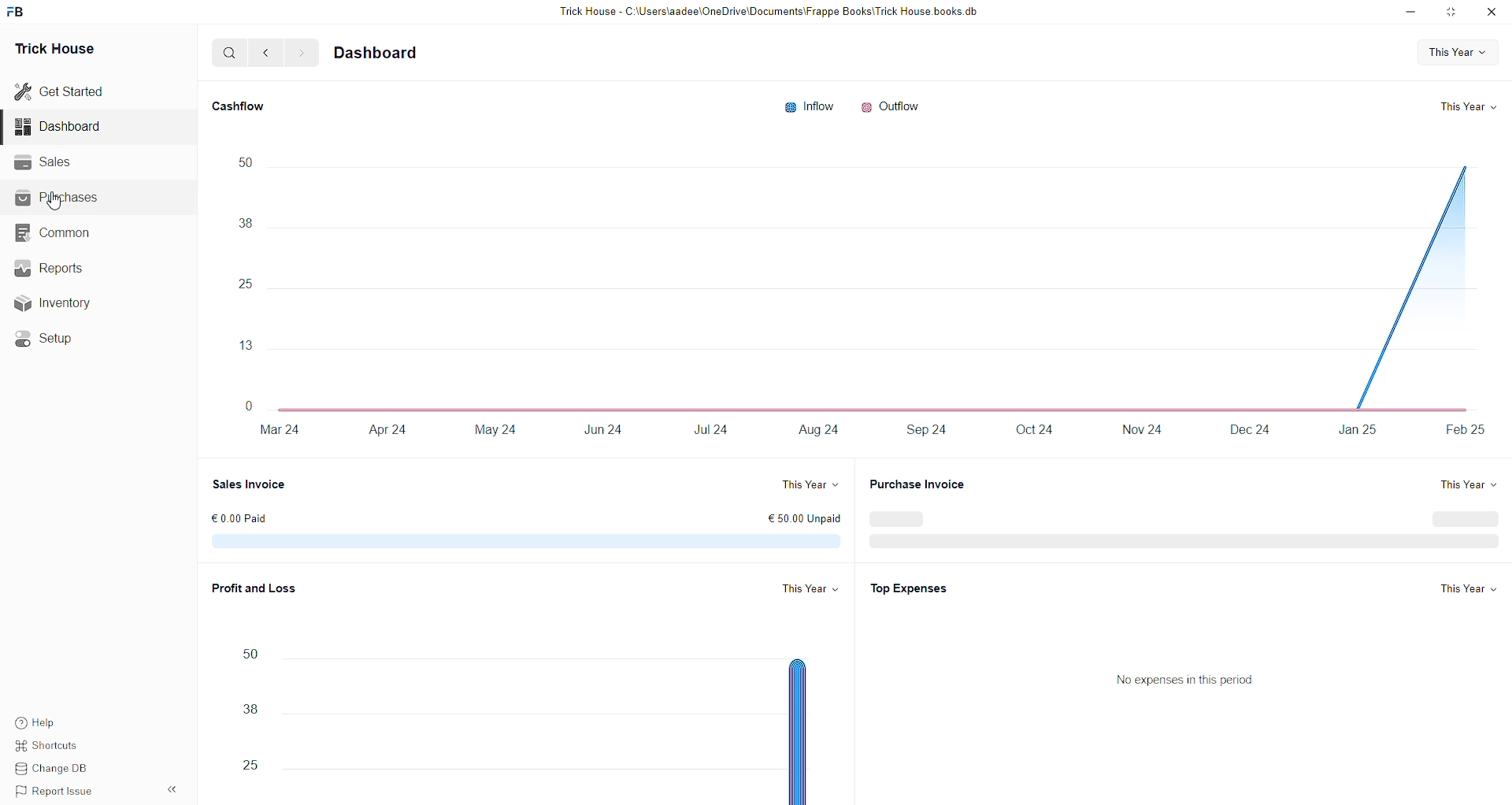 The width and height of the screenshot is (1512, 805). I want to click on Sep24, so click(928, 430).